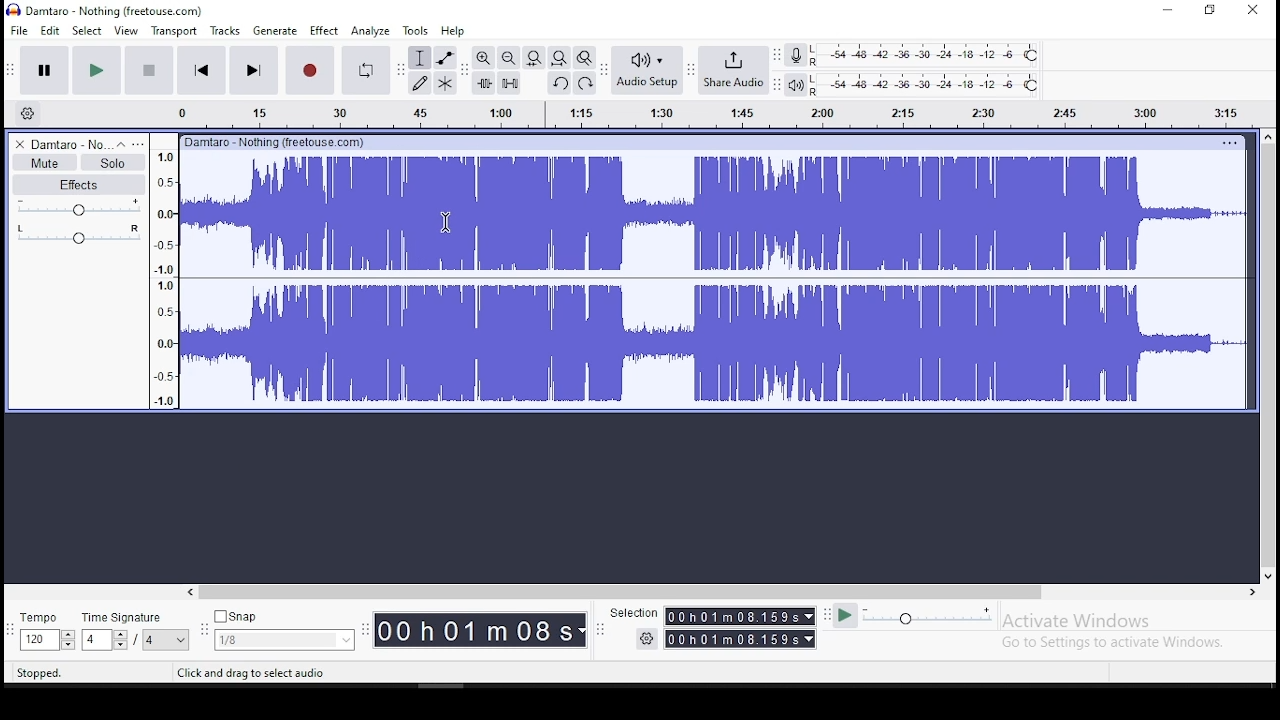  What do you see at coordinates (270, 640) in the screenshot?
I see `1/8` at bounding box center [270, 640].